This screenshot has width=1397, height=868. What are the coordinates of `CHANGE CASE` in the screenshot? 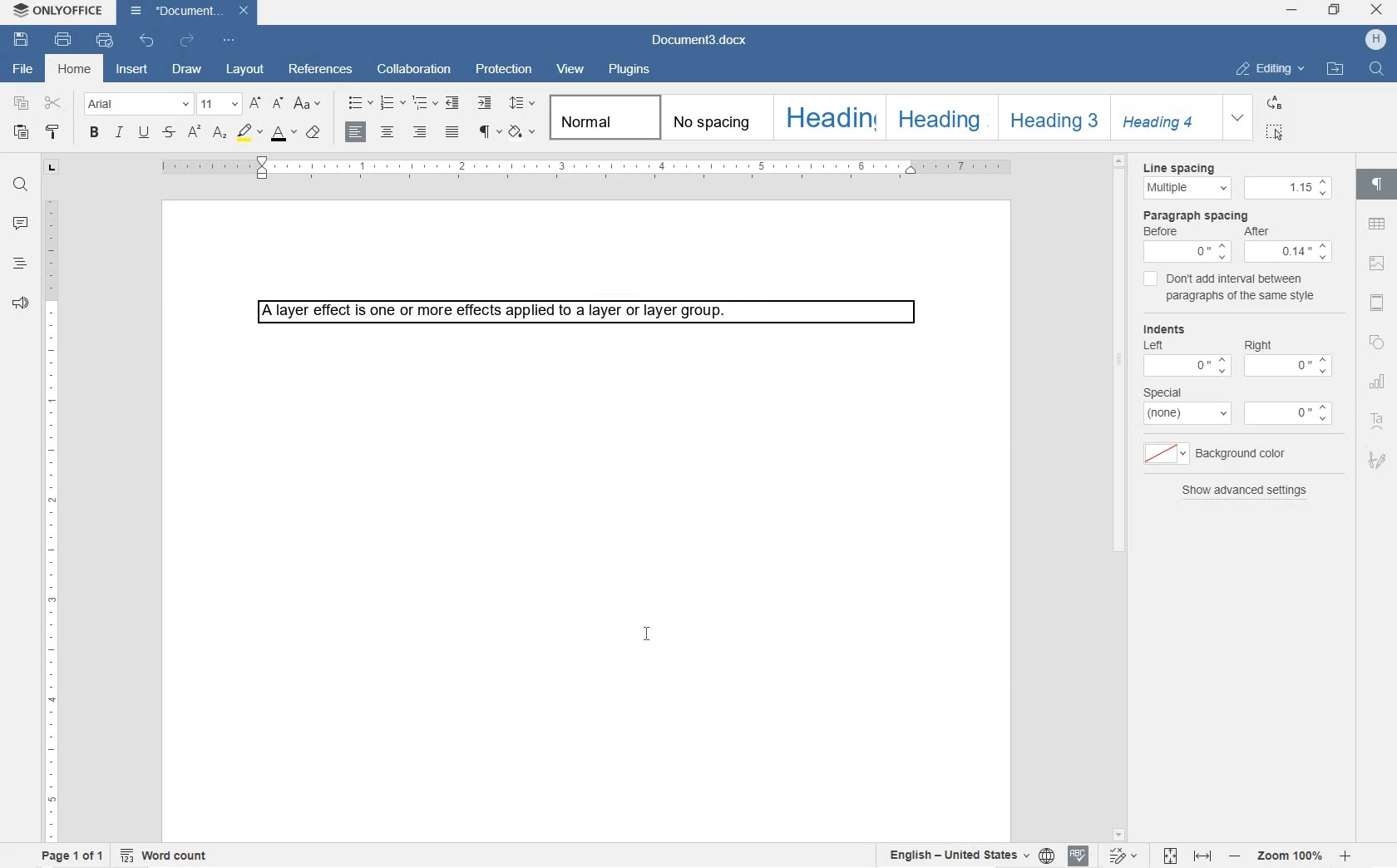 It's located at (309, 104).